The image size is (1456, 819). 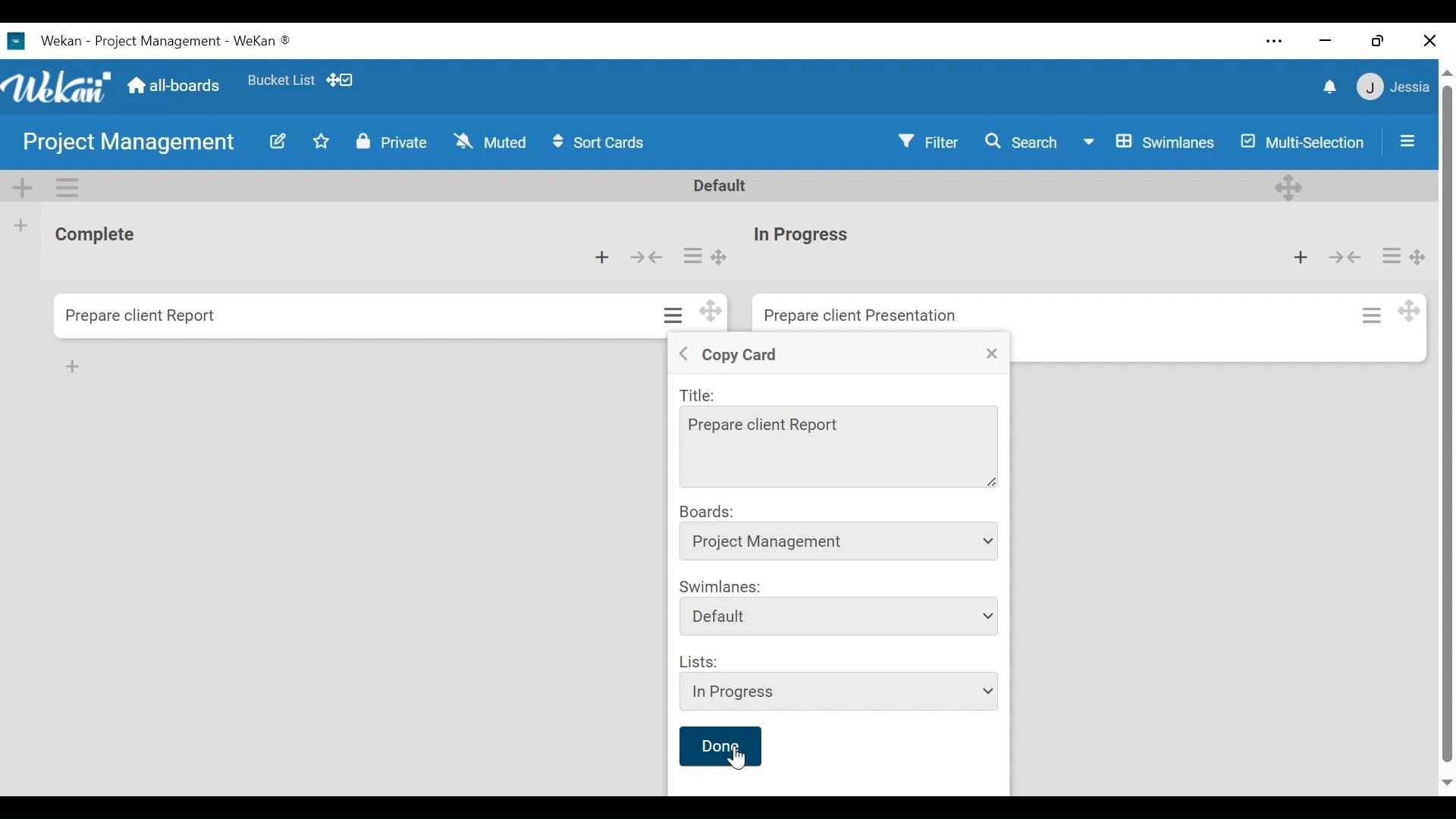 I want to click on Card Title, so click(x=142, y=315).